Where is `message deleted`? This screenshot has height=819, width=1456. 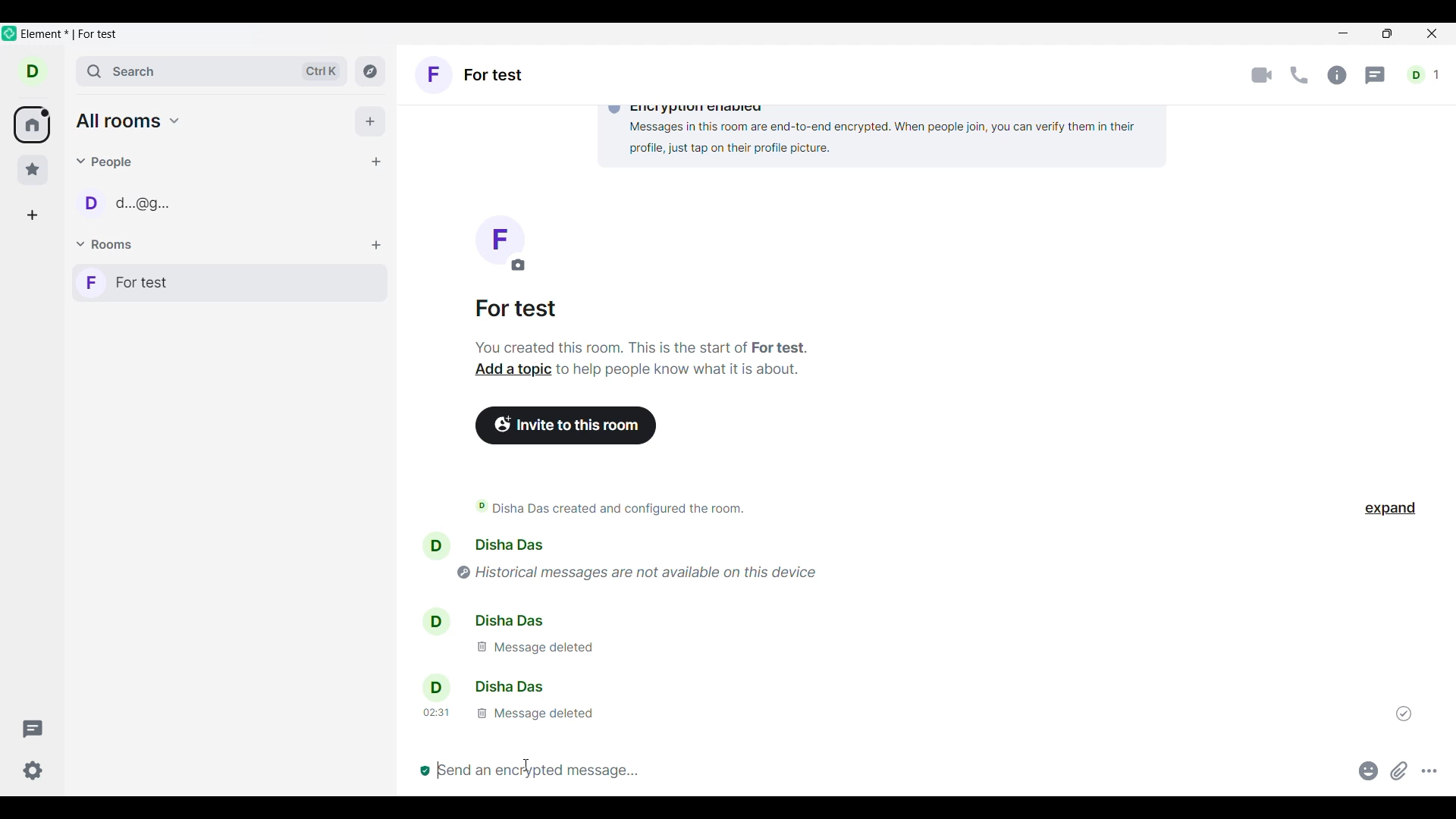
message deleted is located at coordinates (532, 647).